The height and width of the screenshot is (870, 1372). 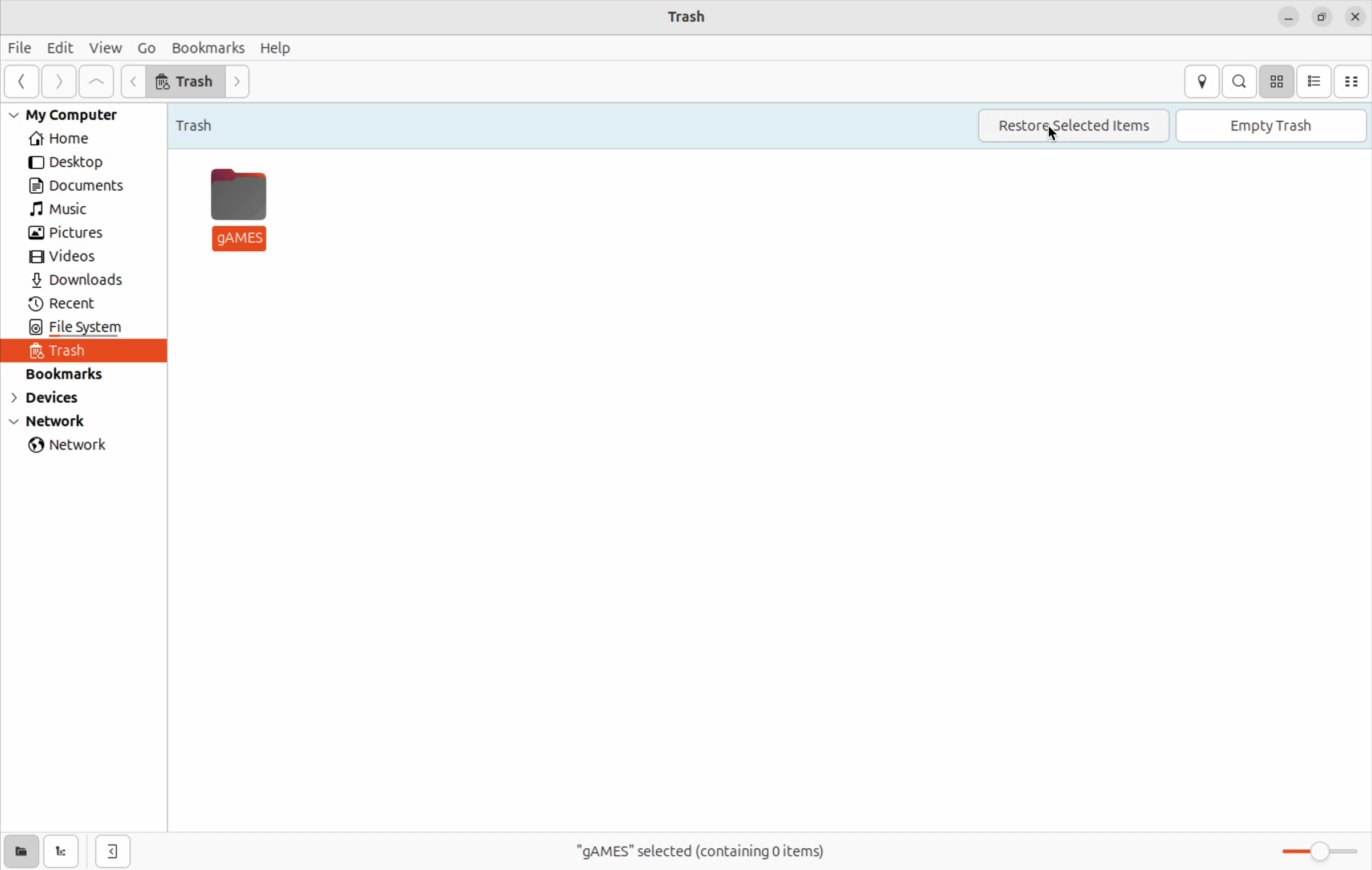 I want to click on restore selected items, so click(x=1072, y=126).